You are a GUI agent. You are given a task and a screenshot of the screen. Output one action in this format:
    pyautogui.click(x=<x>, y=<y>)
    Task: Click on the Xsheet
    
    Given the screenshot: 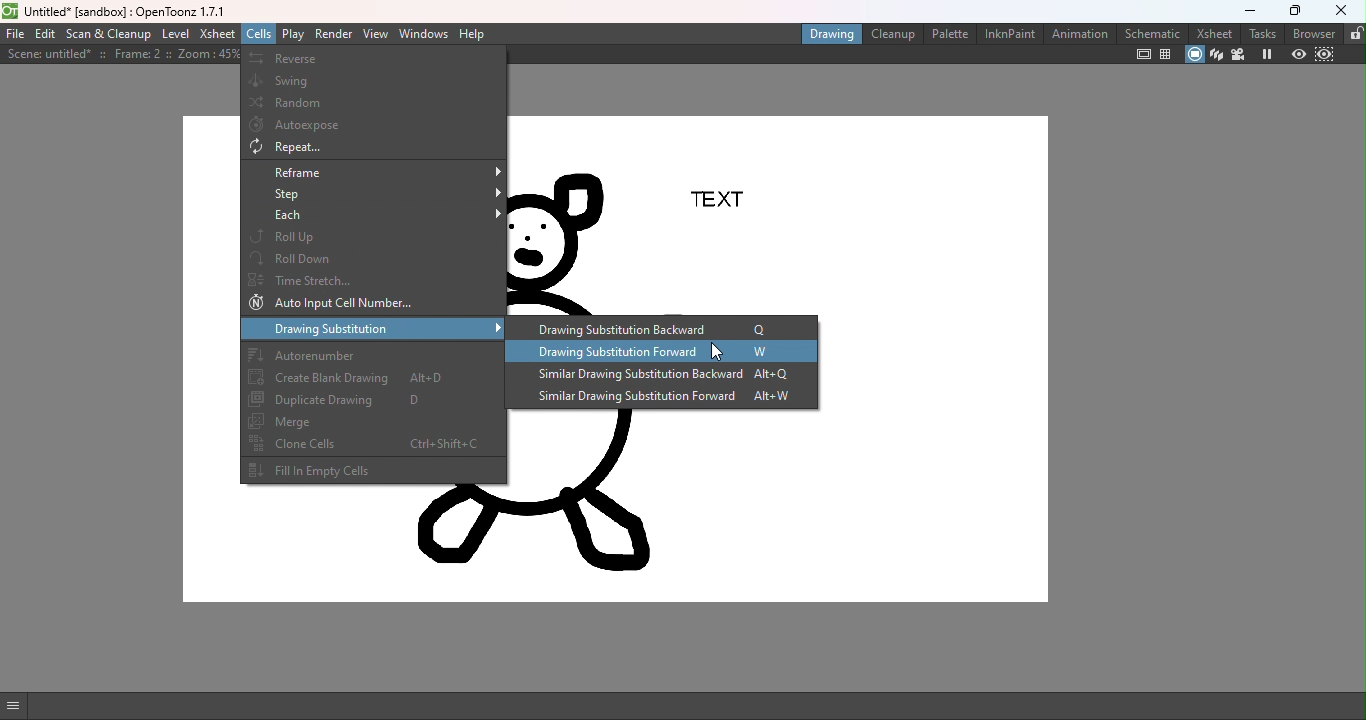 What is the action you would take?
    pyautogui.click(x=218, y=33)
    